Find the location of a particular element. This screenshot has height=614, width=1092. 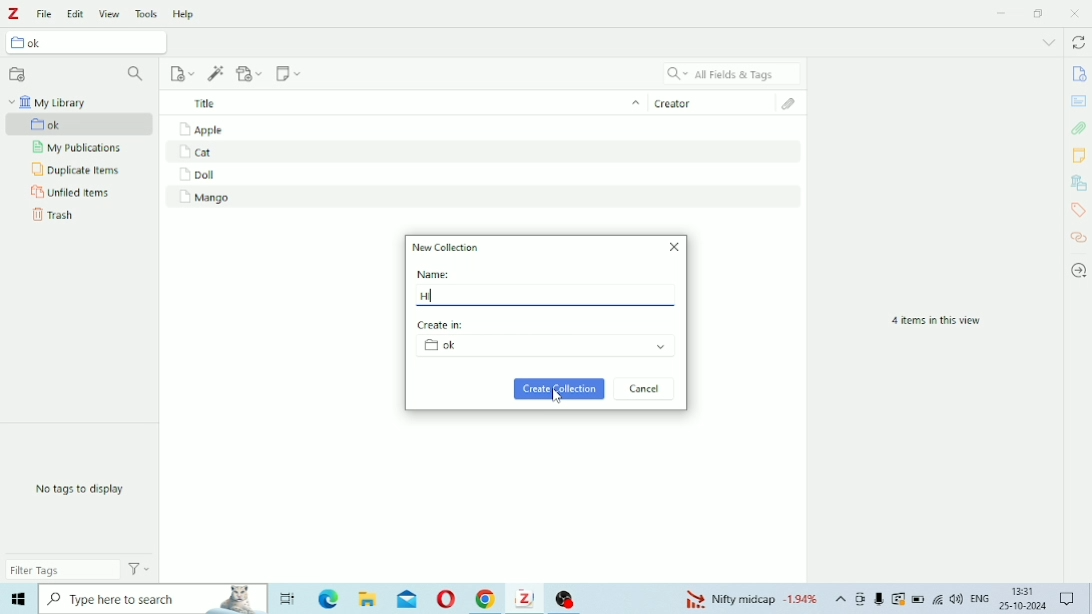

25-10-2024 is located at coordinates (1023, 606).